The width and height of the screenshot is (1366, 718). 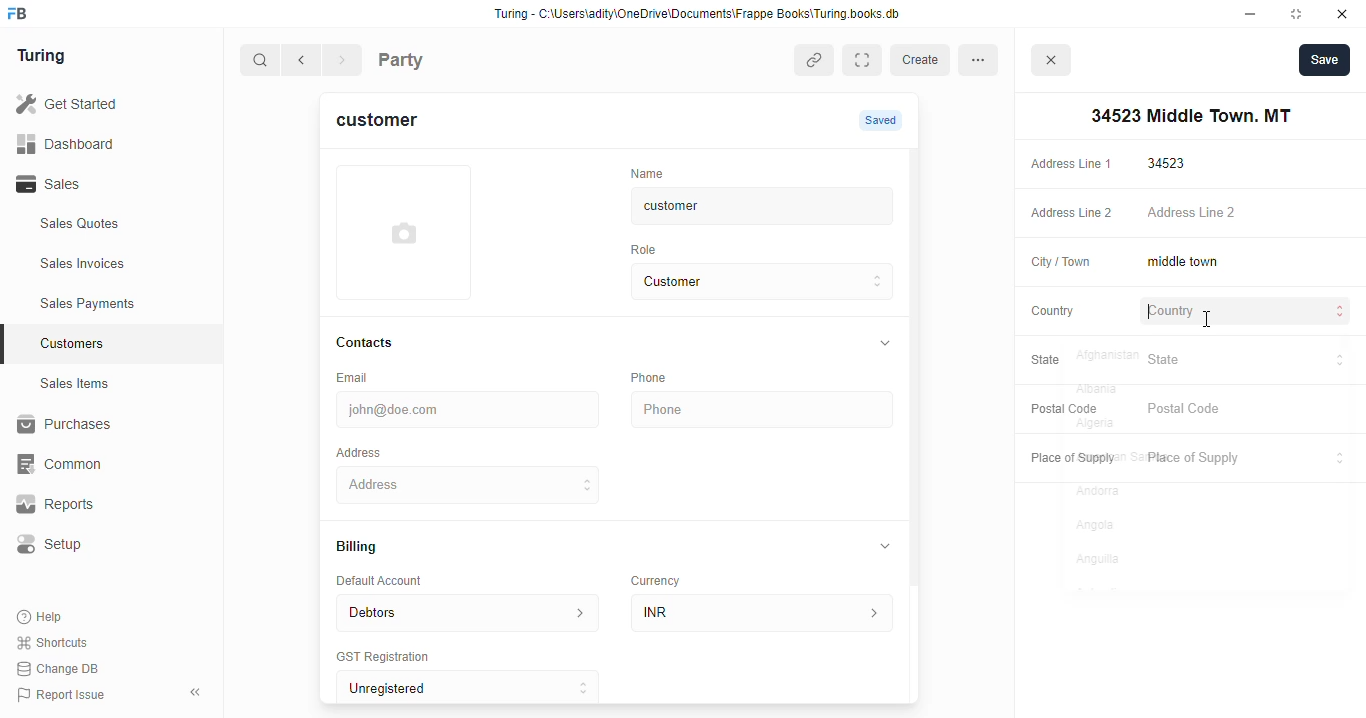 What do you see at coordinates (746, 282) in the screenshot?
I see `Customer` at bounding box center [746, 282].